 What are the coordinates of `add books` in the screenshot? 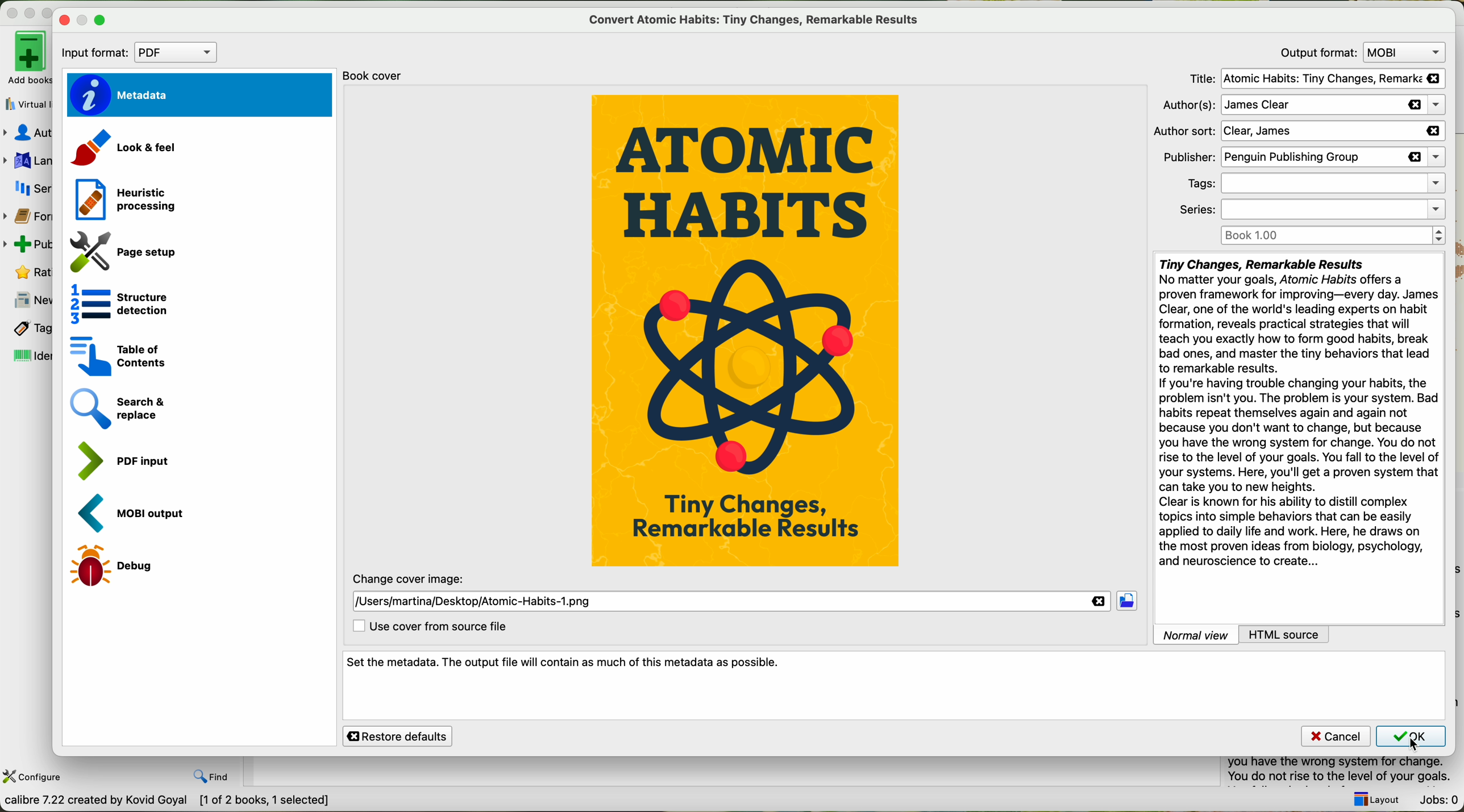 It's located at (26, 57).